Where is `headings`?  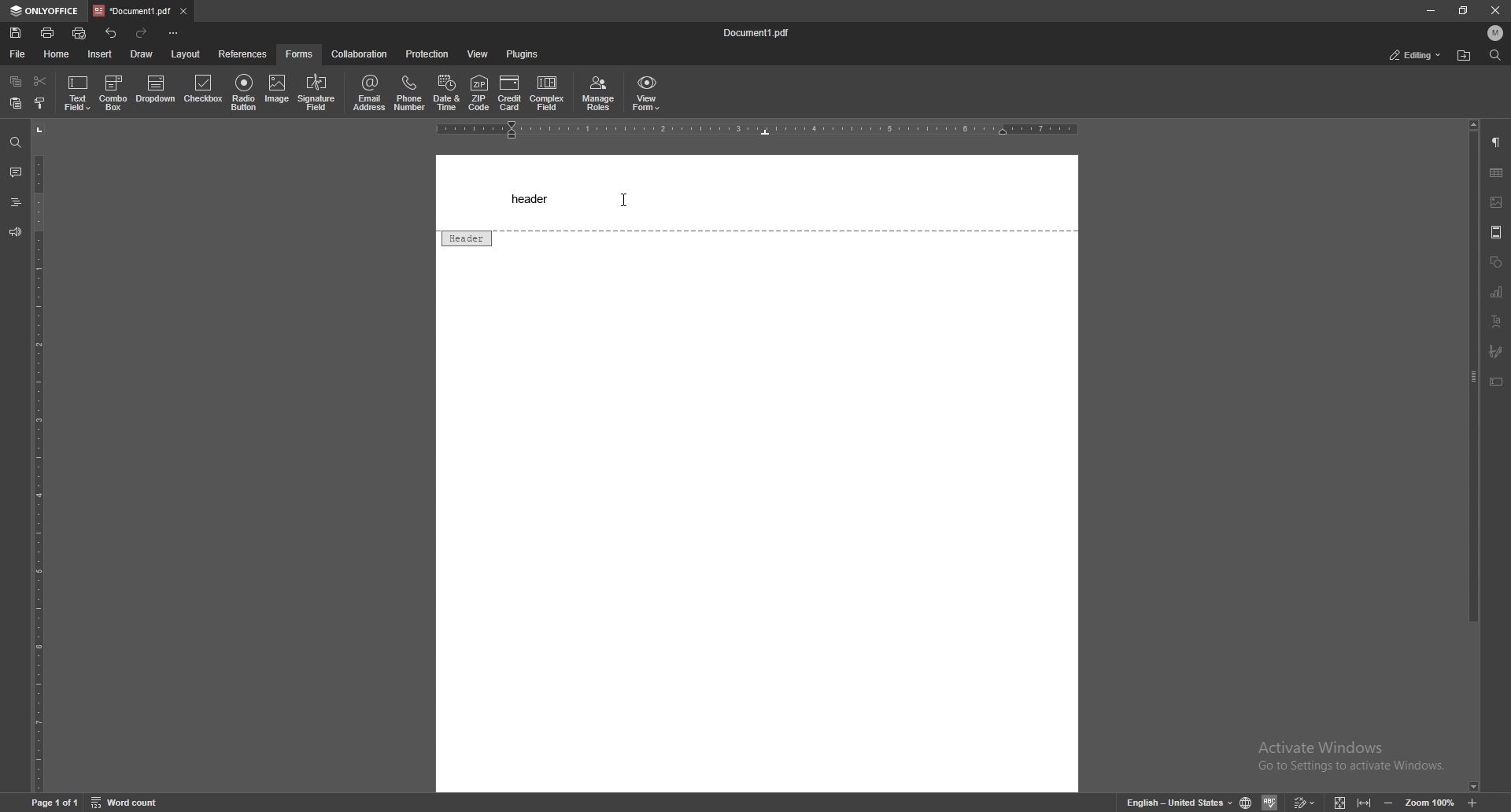
headings is located at coordinates (17, 201).